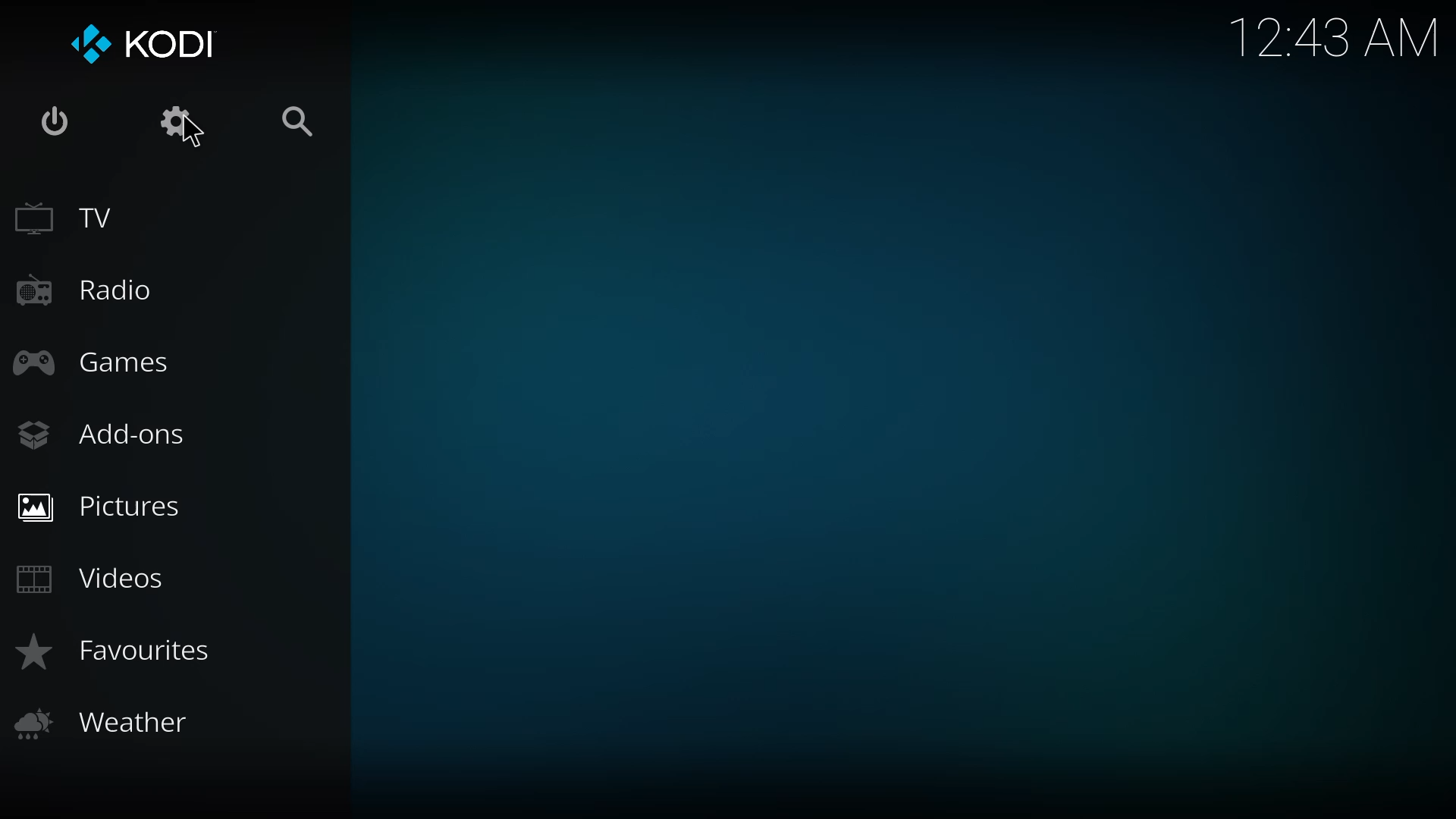  Describe the element at coordinates (96, 363) in the screenshot. I see `games` at that location.